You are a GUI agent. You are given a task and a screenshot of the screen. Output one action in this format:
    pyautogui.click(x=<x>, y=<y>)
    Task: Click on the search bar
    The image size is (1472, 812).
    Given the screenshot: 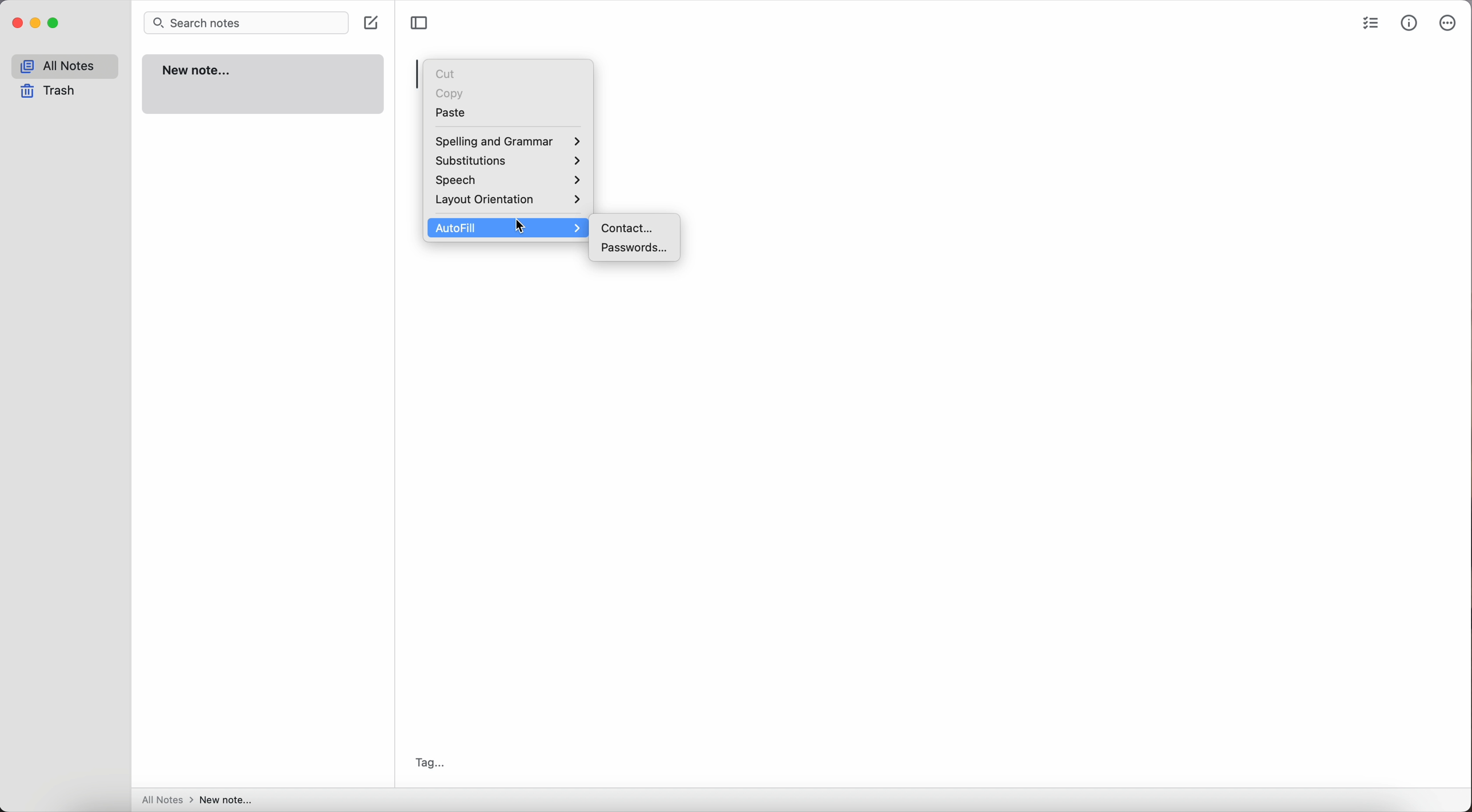 What is the action you would take?
    pyautogui.click(x=245, y=23)
    